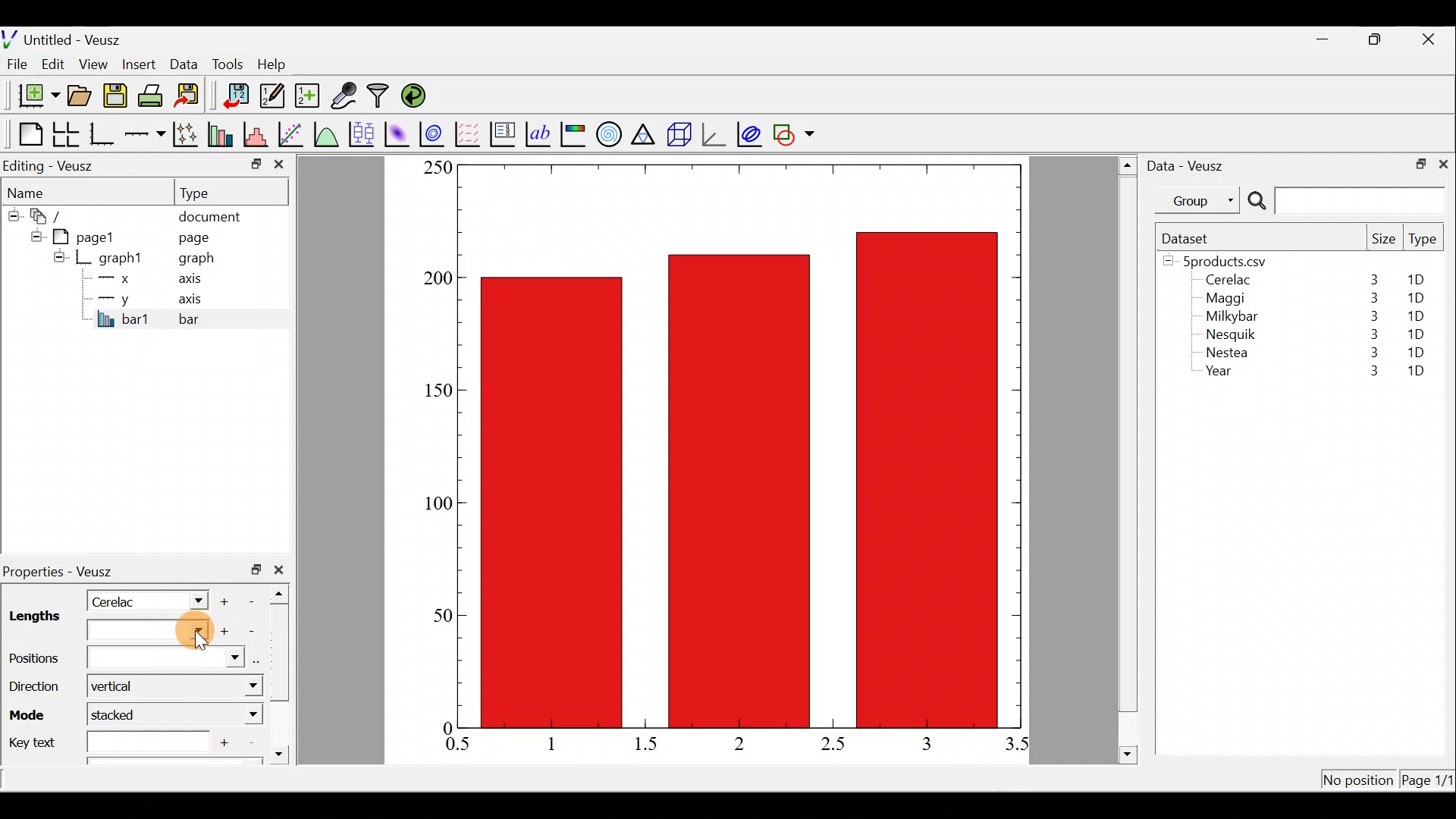  What do you see at coordinates (645, 132) in the screenshot?
I see `Ternary graph` at bounding box center [645, 132].